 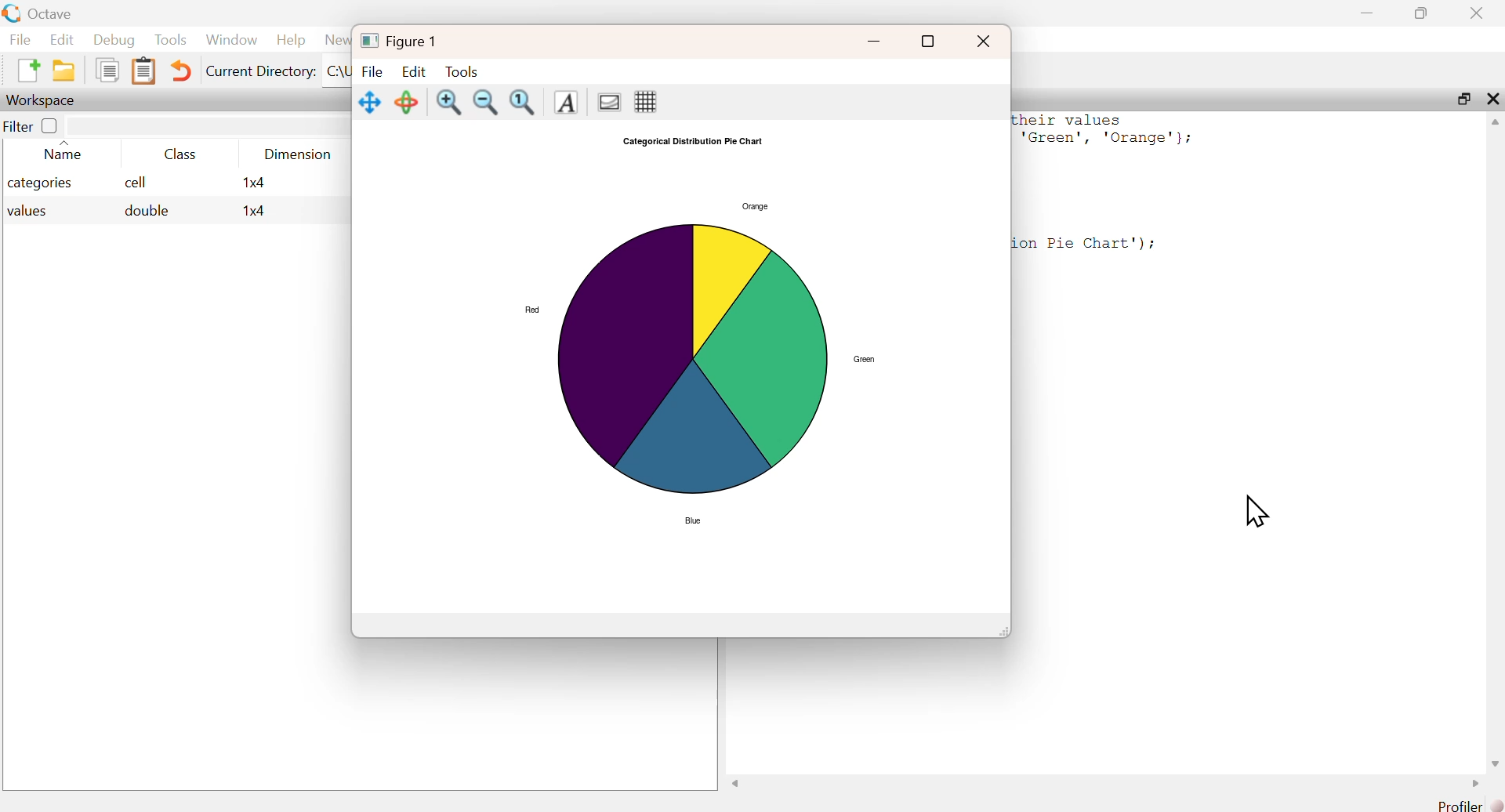 I want to click on Text, so click(x=567, y=101).